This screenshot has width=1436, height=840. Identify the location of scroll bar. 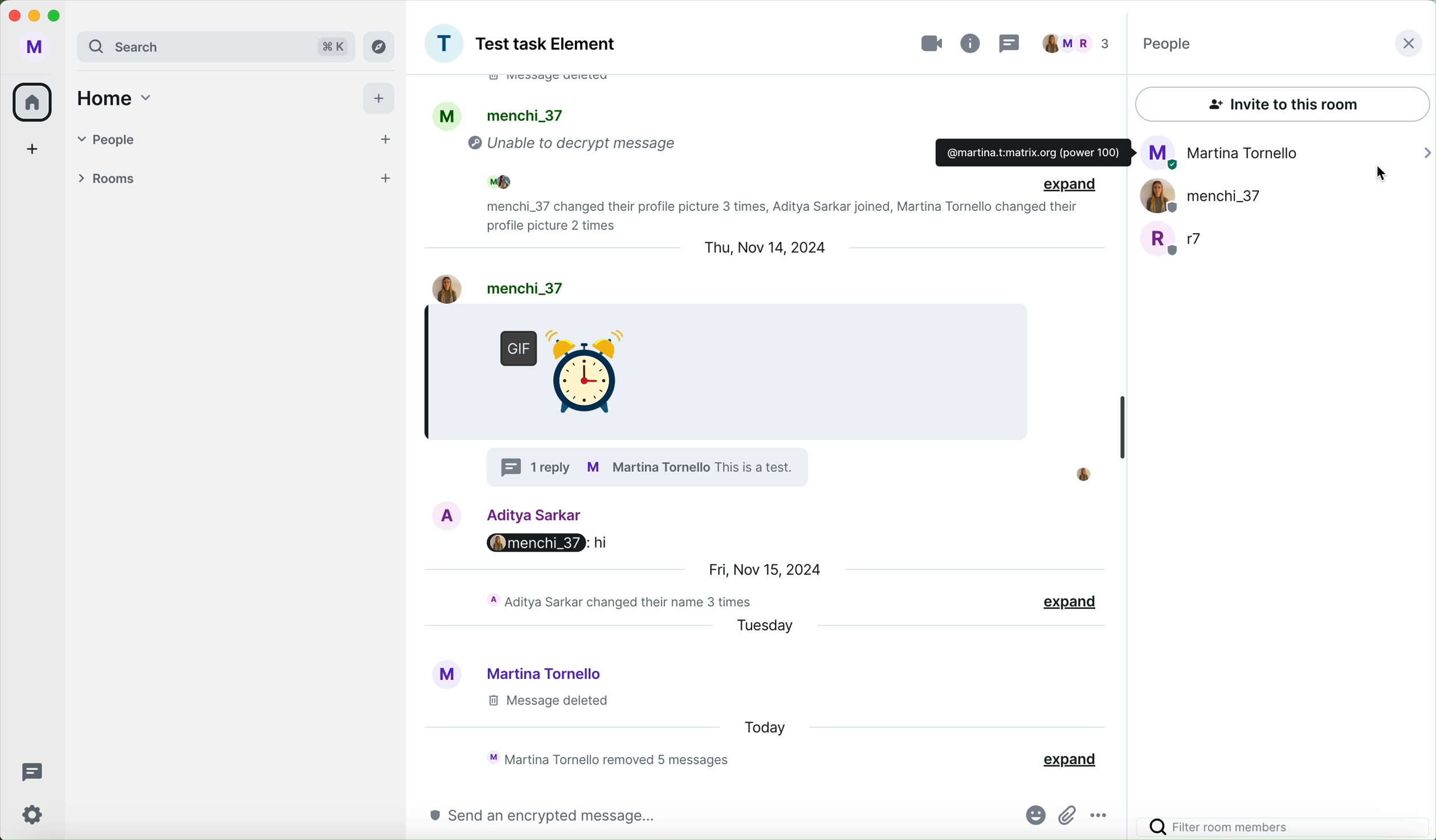
(1123, 430).